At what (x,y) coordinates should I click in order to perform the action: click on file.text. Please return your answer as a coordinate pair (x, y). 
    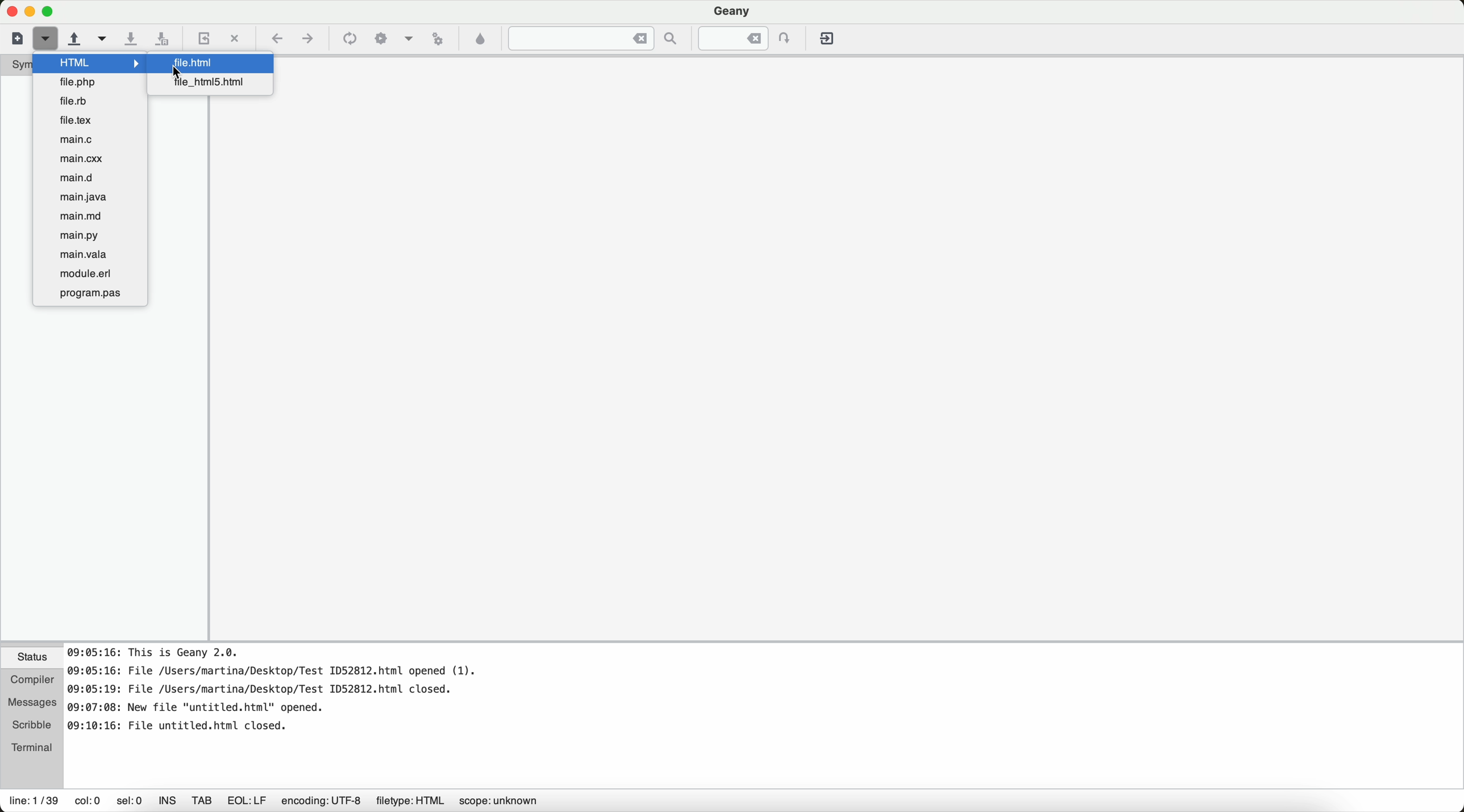
    Looking at the image, I should click on (90, 118).